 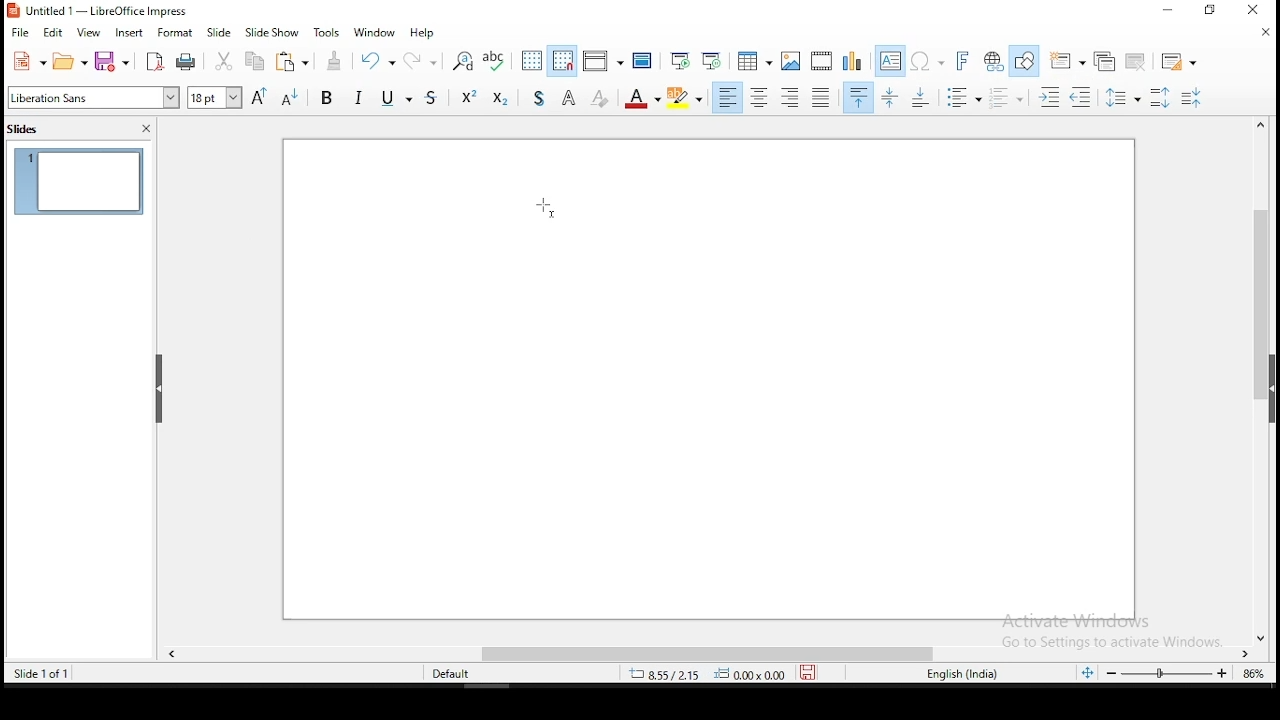 I want to click on decrease font size, so click(x=291, y=99).